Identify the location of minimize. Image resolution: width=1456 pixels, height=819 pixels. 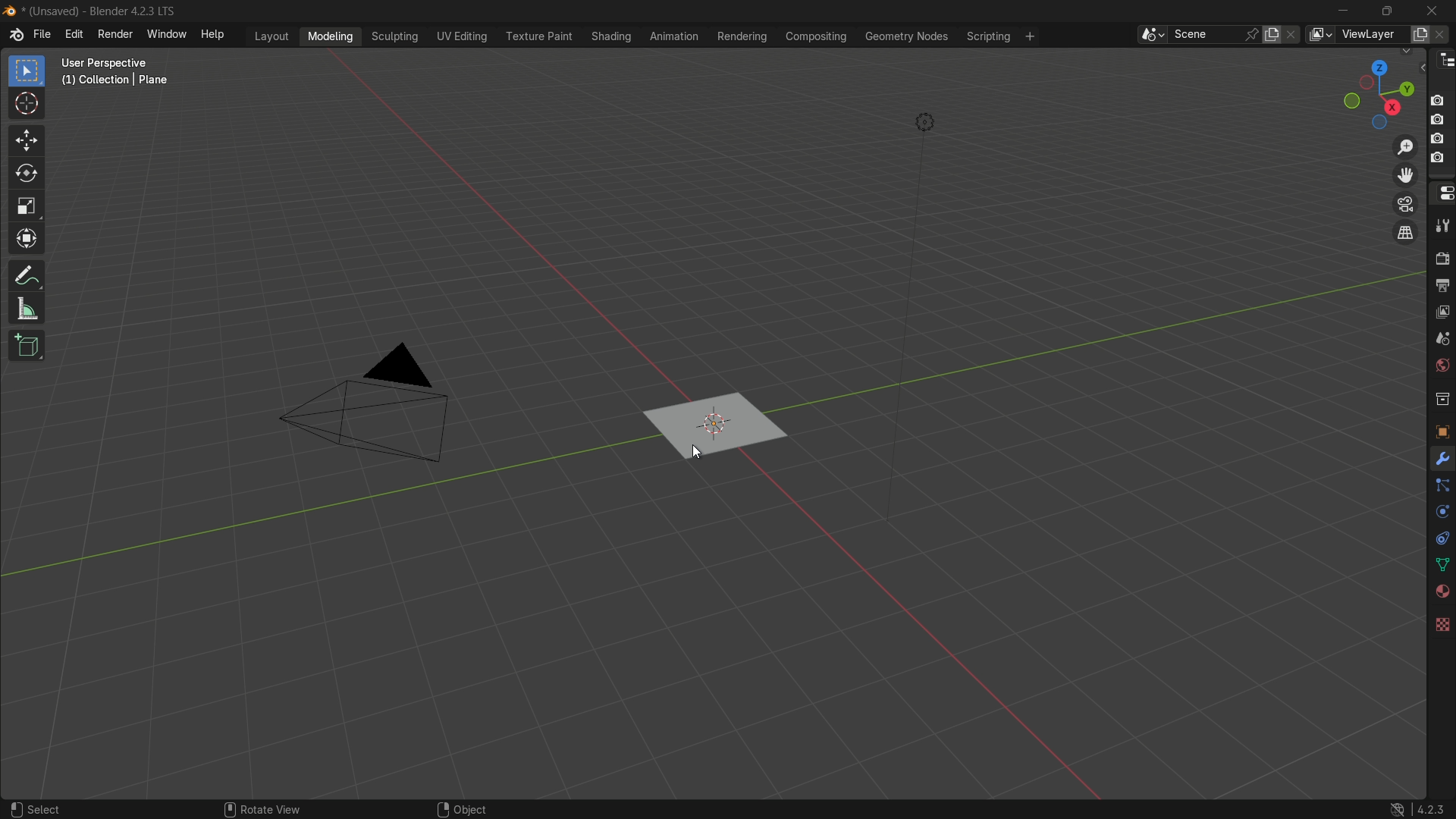
(1343, 11).